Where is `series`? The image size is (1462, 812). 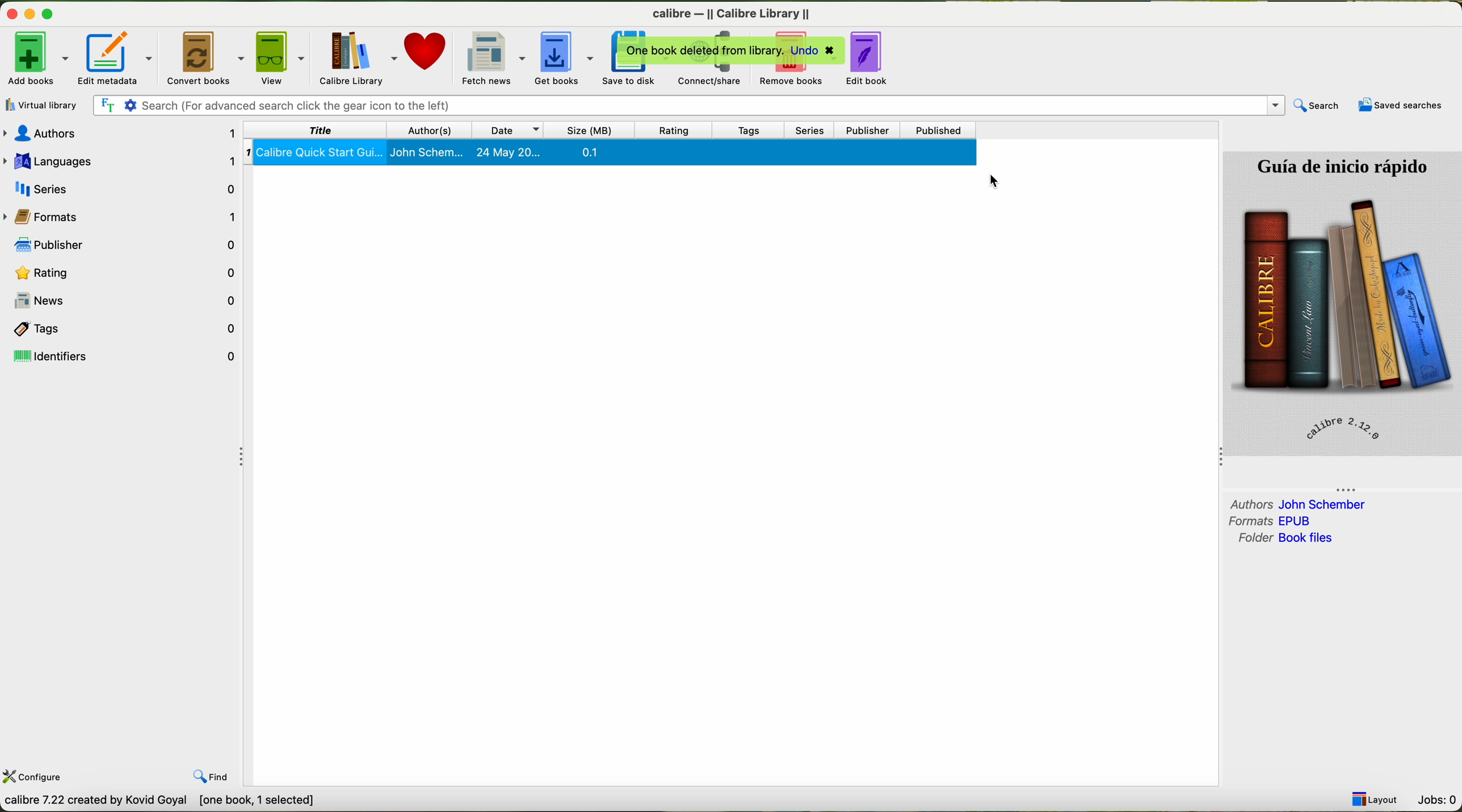
series is located at coordinates (812, 130).